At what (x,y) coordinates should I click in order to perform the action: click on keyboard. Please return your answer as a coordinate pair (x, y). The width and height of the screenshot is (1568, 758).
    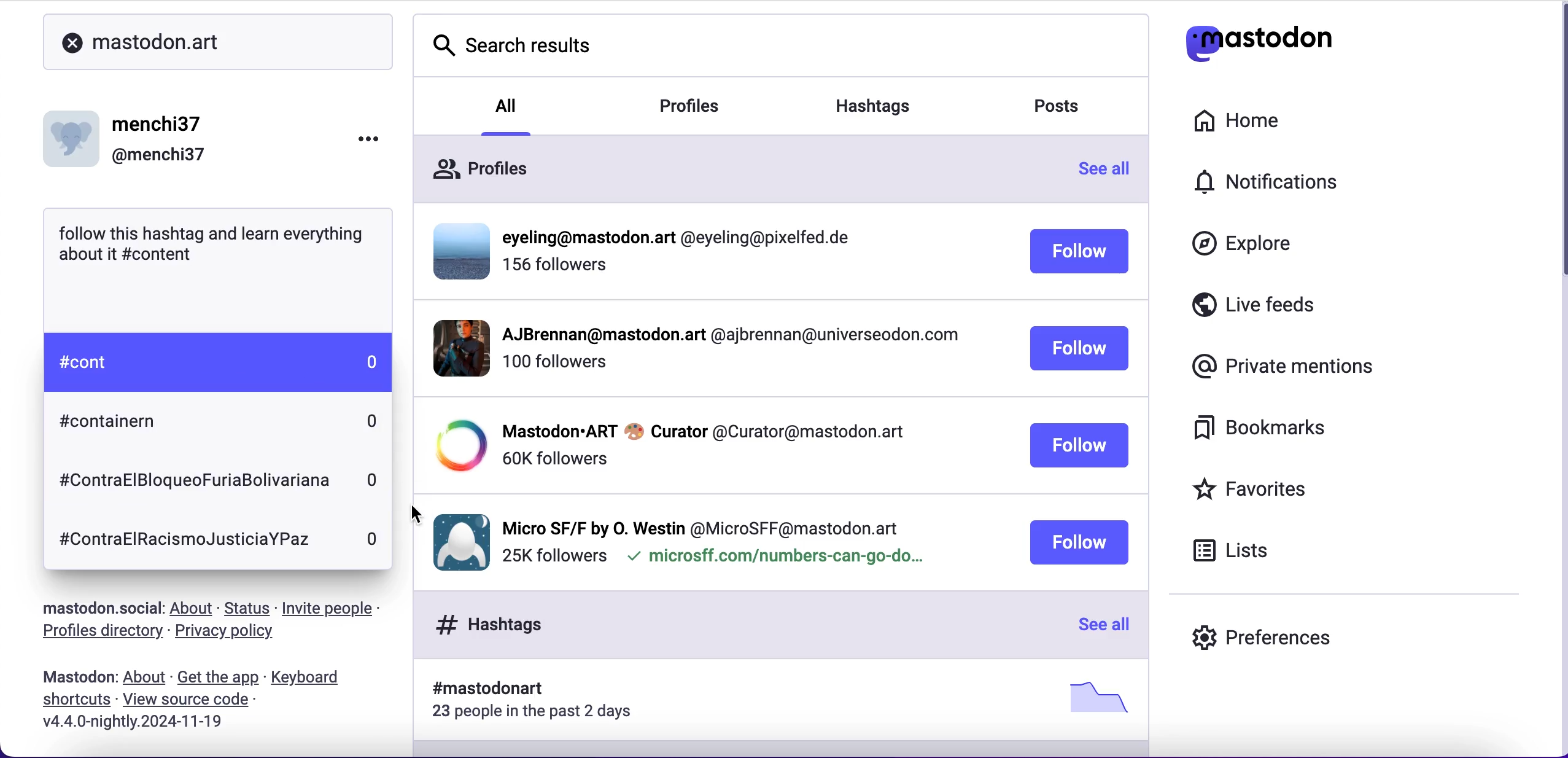
    Looking at the image, I should click on (309, 678).